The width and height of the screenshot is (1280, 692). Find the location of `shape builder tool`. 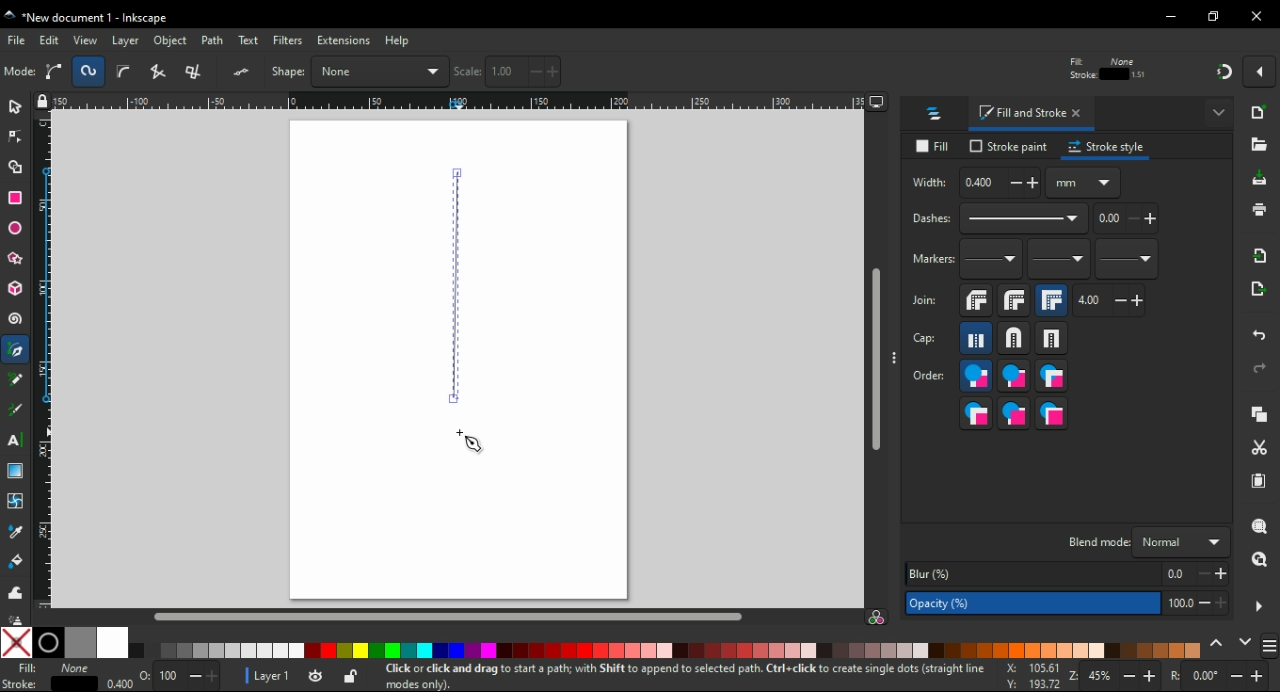

shape builder tool is located at coordinates (13, 167).